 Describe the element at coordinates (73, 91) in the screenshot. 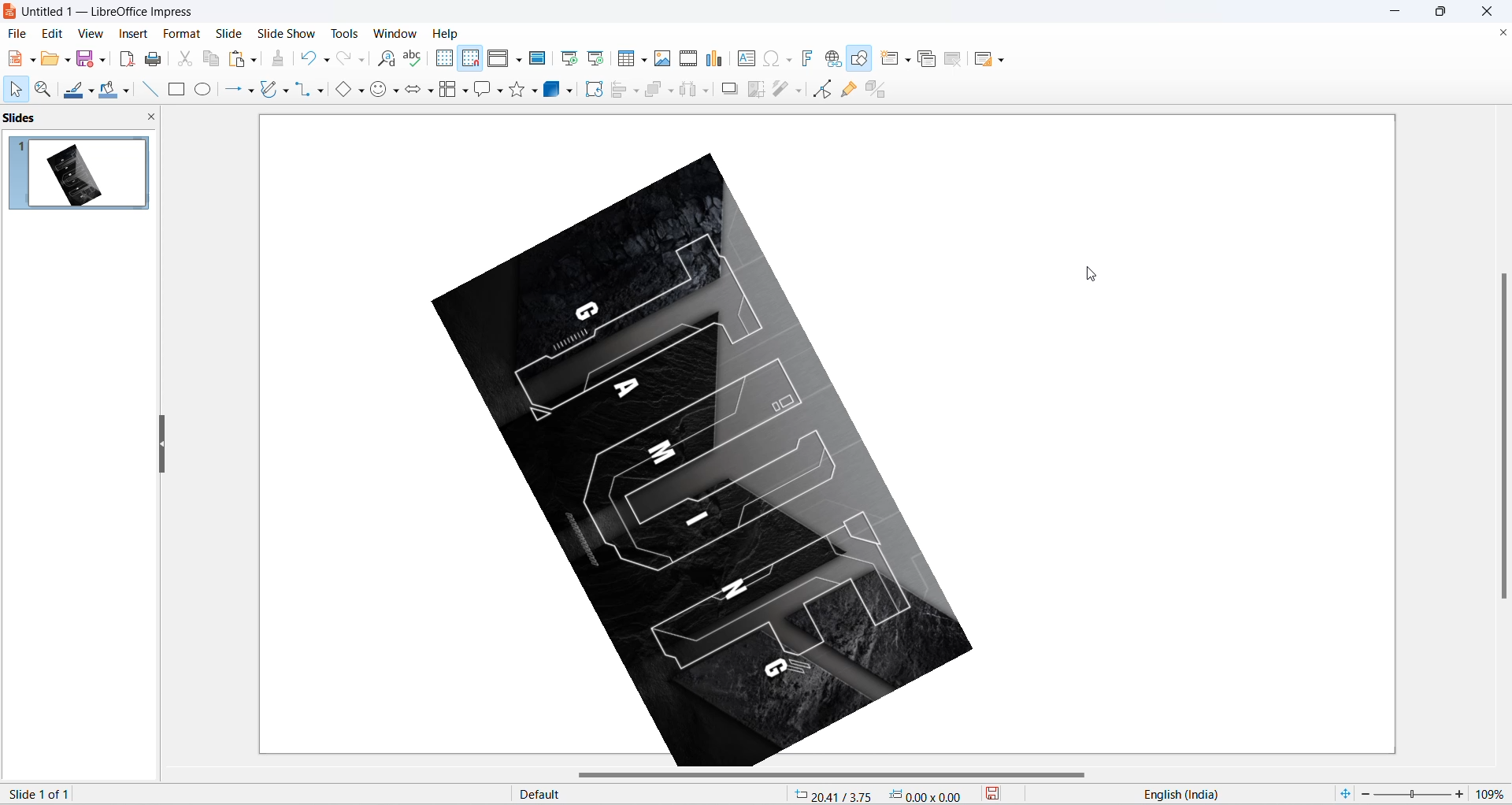

I see `line color` at that location.